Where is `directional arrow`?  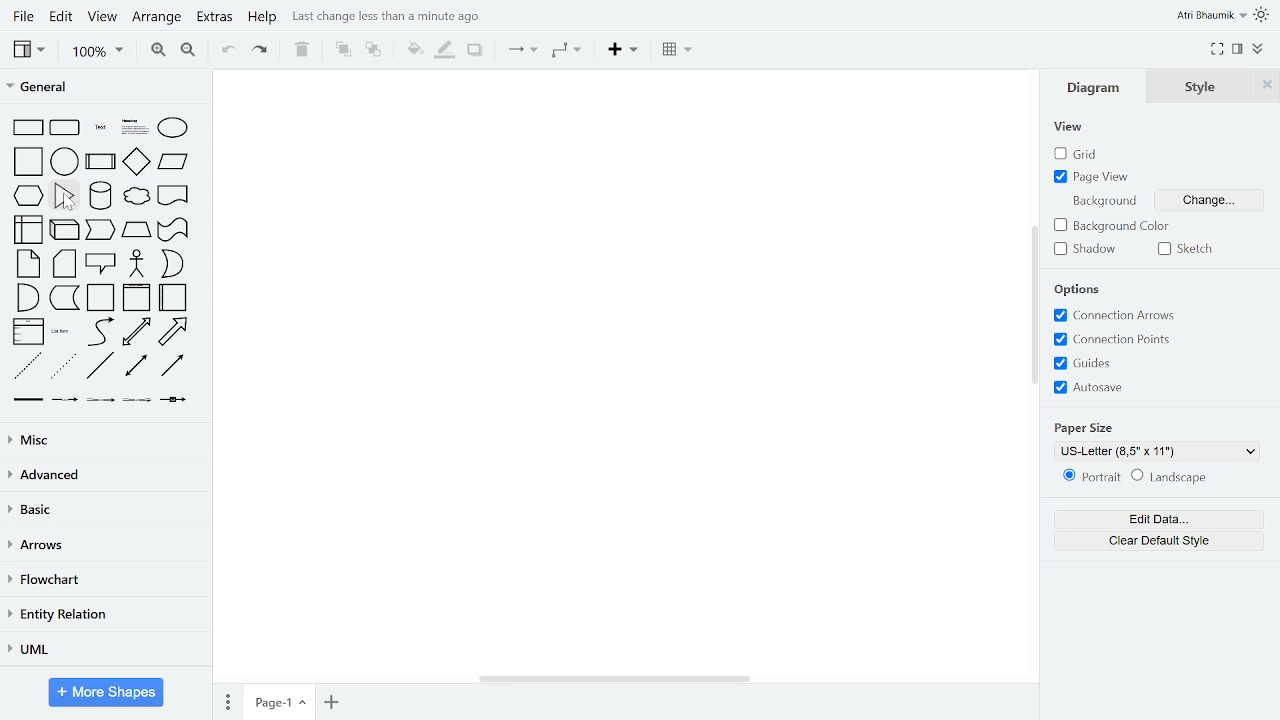
directional arrow is located at coordinates (173, 367).